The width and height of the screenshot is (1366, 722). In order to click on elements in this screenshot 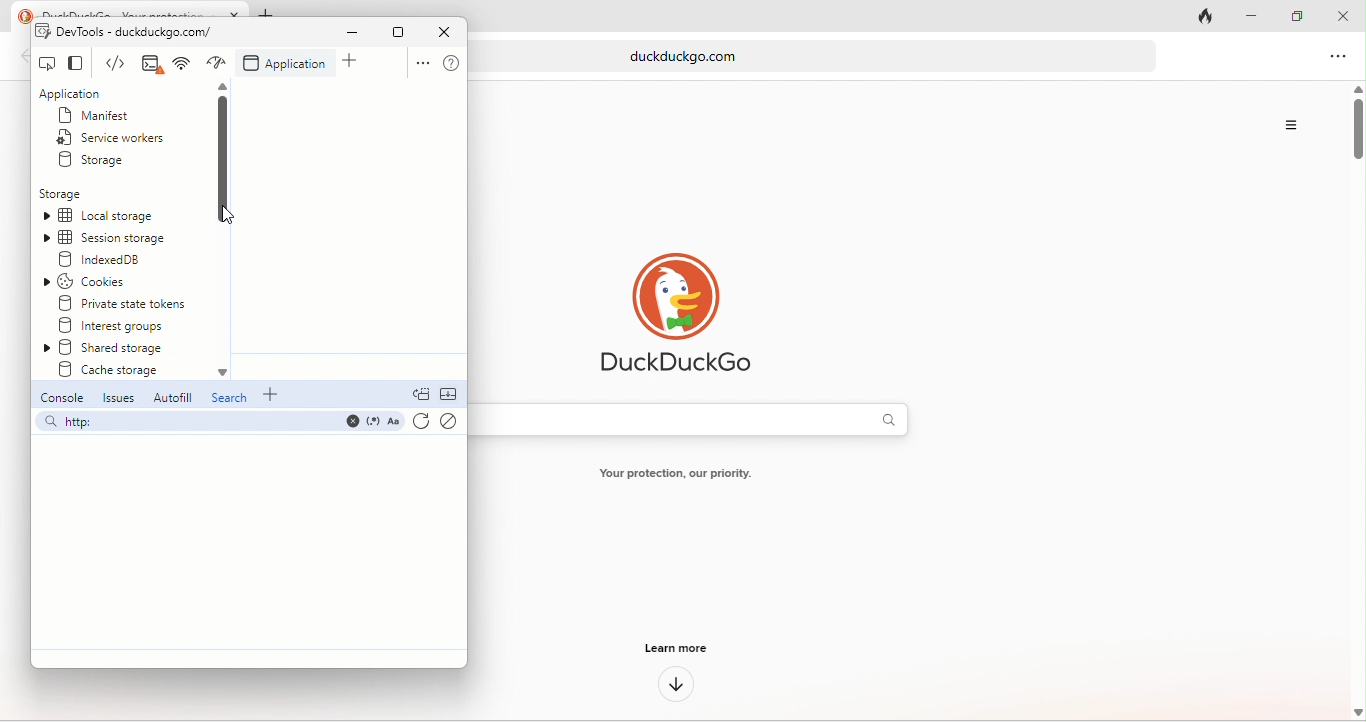, I will do `click(148, 65)`.